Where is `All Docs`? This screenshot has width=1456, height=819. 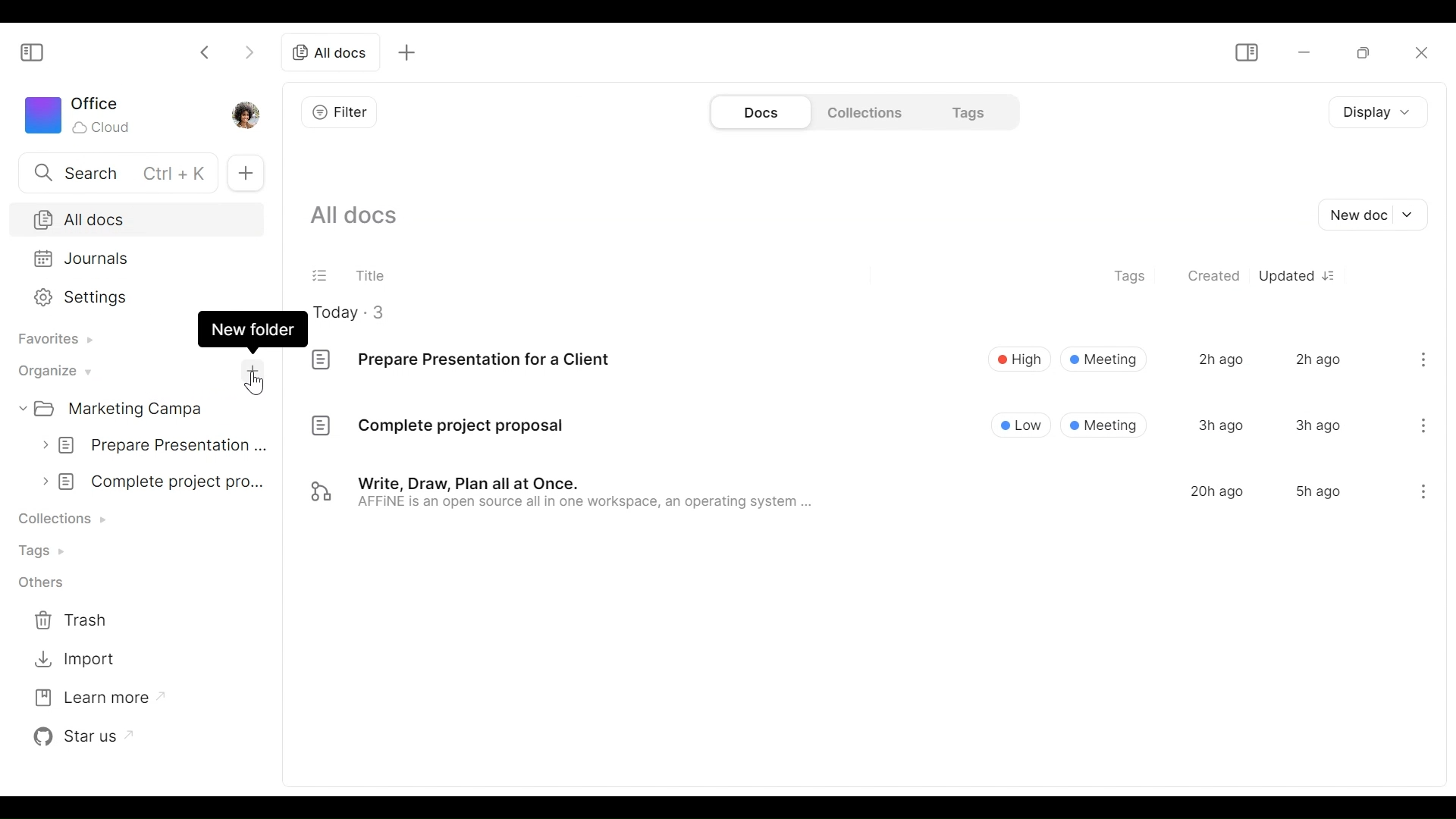
All Docs is located at coordinates (134, 219).